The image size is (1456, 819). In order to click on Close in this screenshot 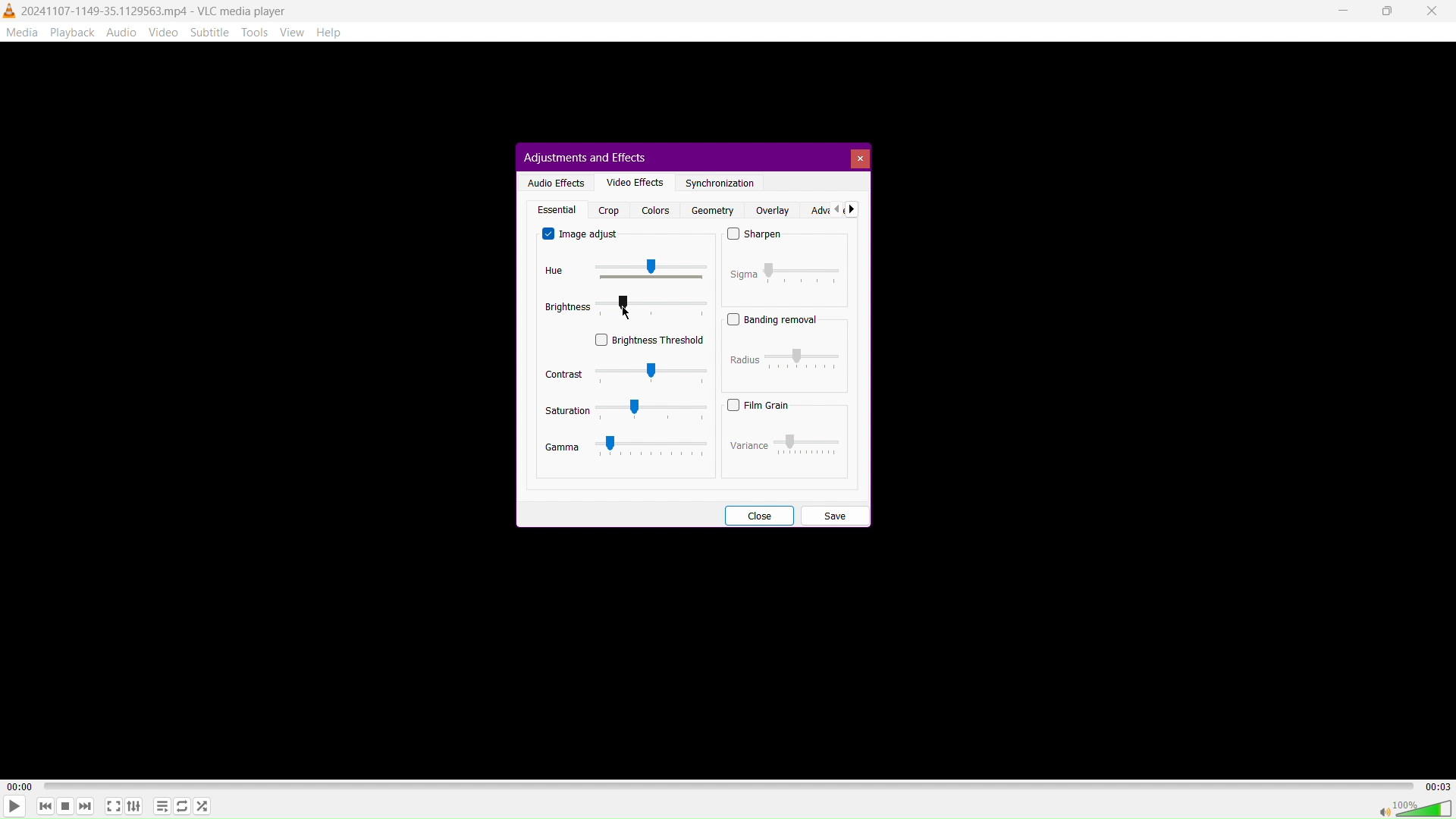, I will do `click(758, 514)`.